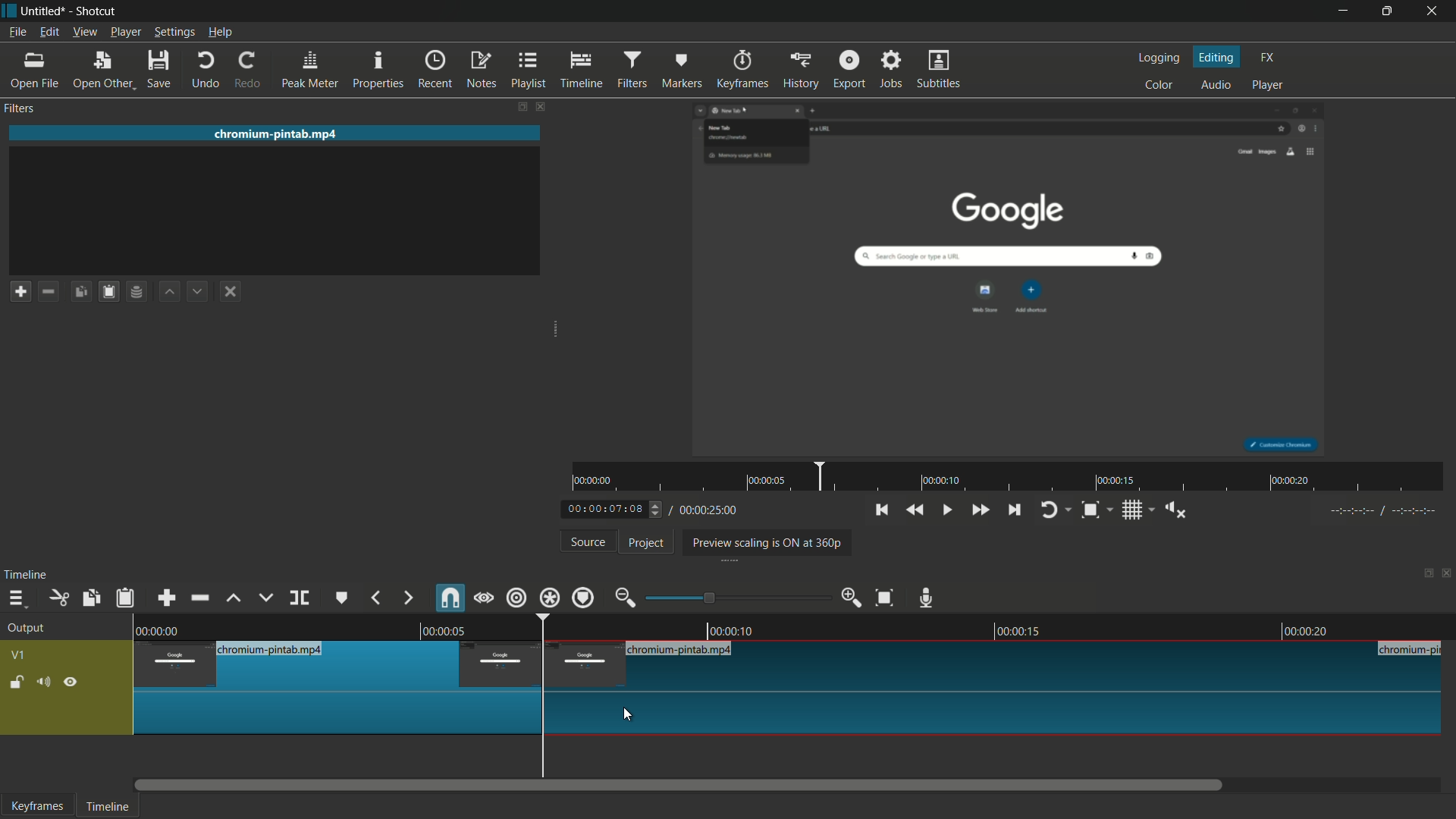 The image size is (1456, 819). Describe the element at coordinates (136, 291) in the screenshot. I see `save filter set` at that location.